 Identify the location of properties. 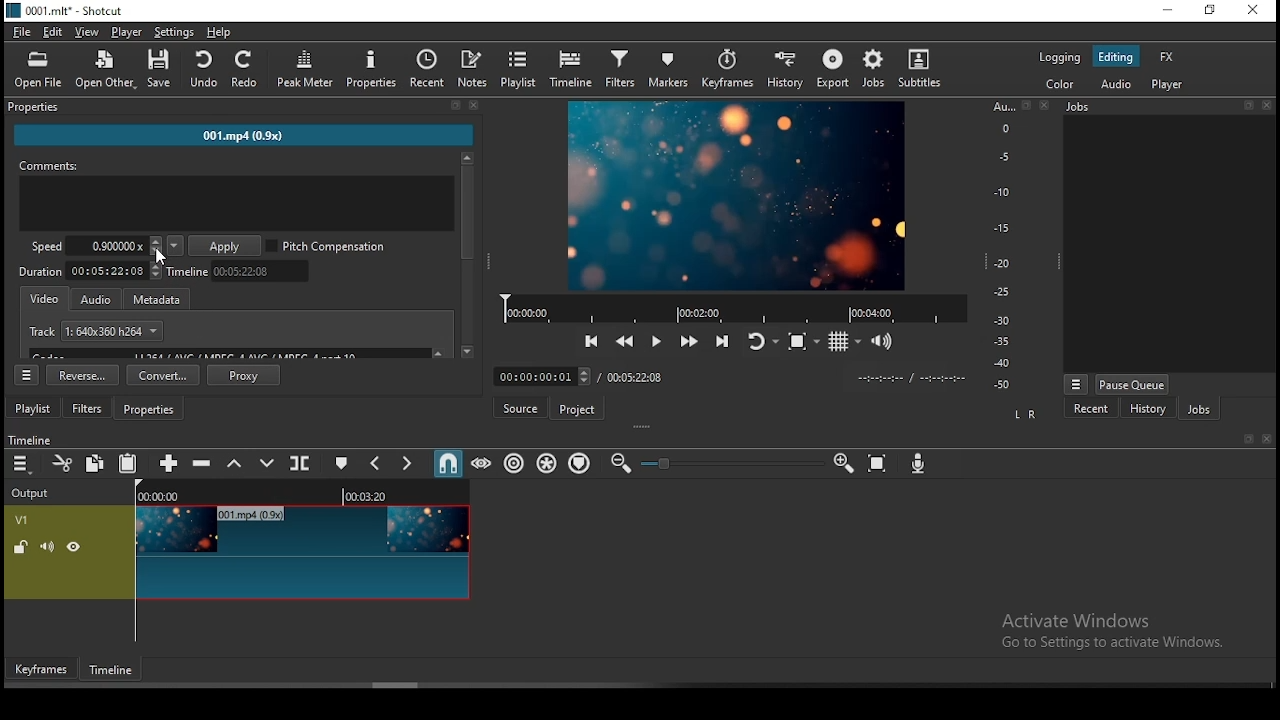
(247, 109).